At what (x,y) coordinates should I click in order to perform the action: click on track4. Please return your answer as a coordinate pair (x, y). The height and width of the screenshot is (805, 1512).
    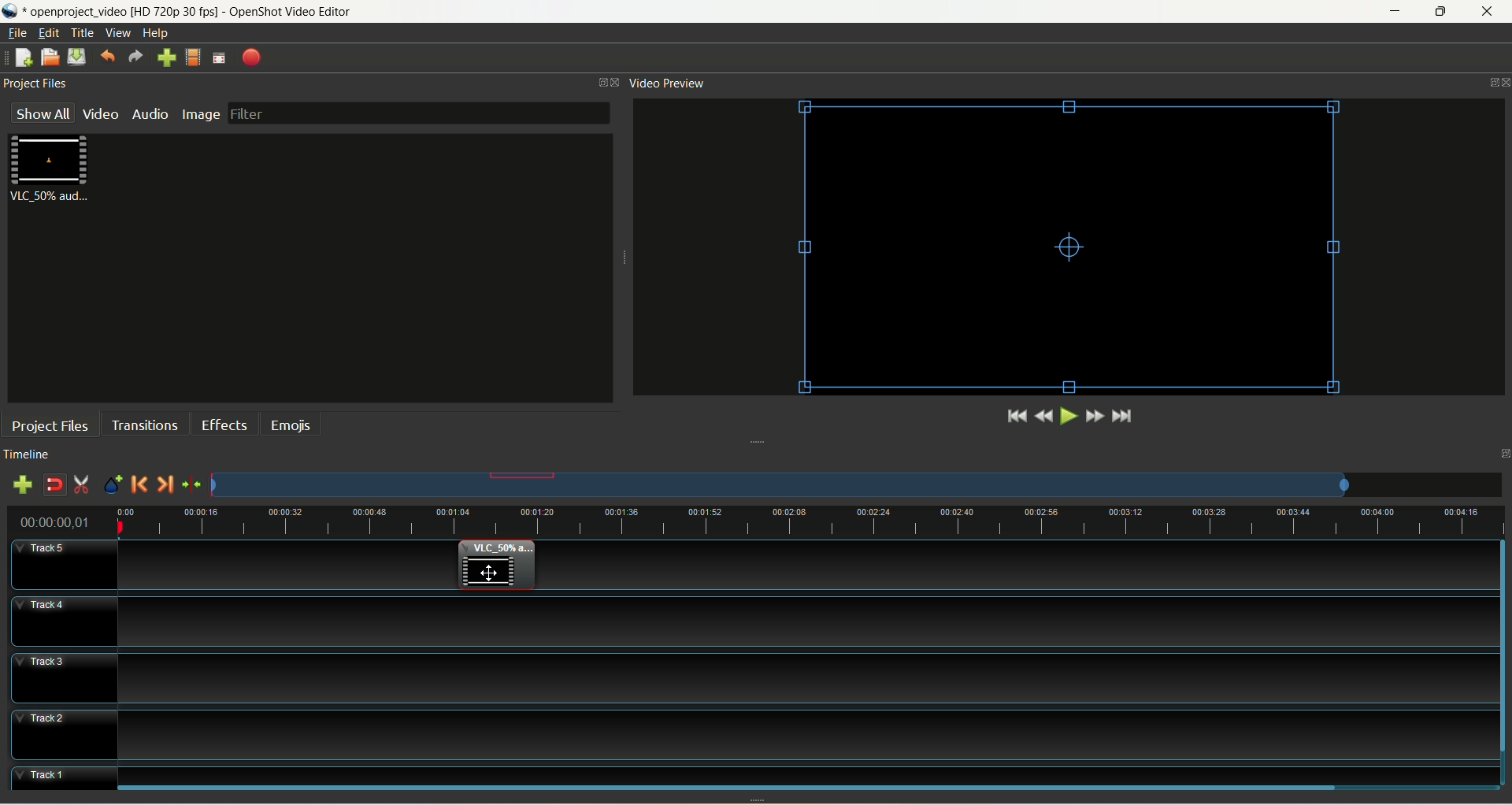
    Looking at the image, I should click on (63, 621).